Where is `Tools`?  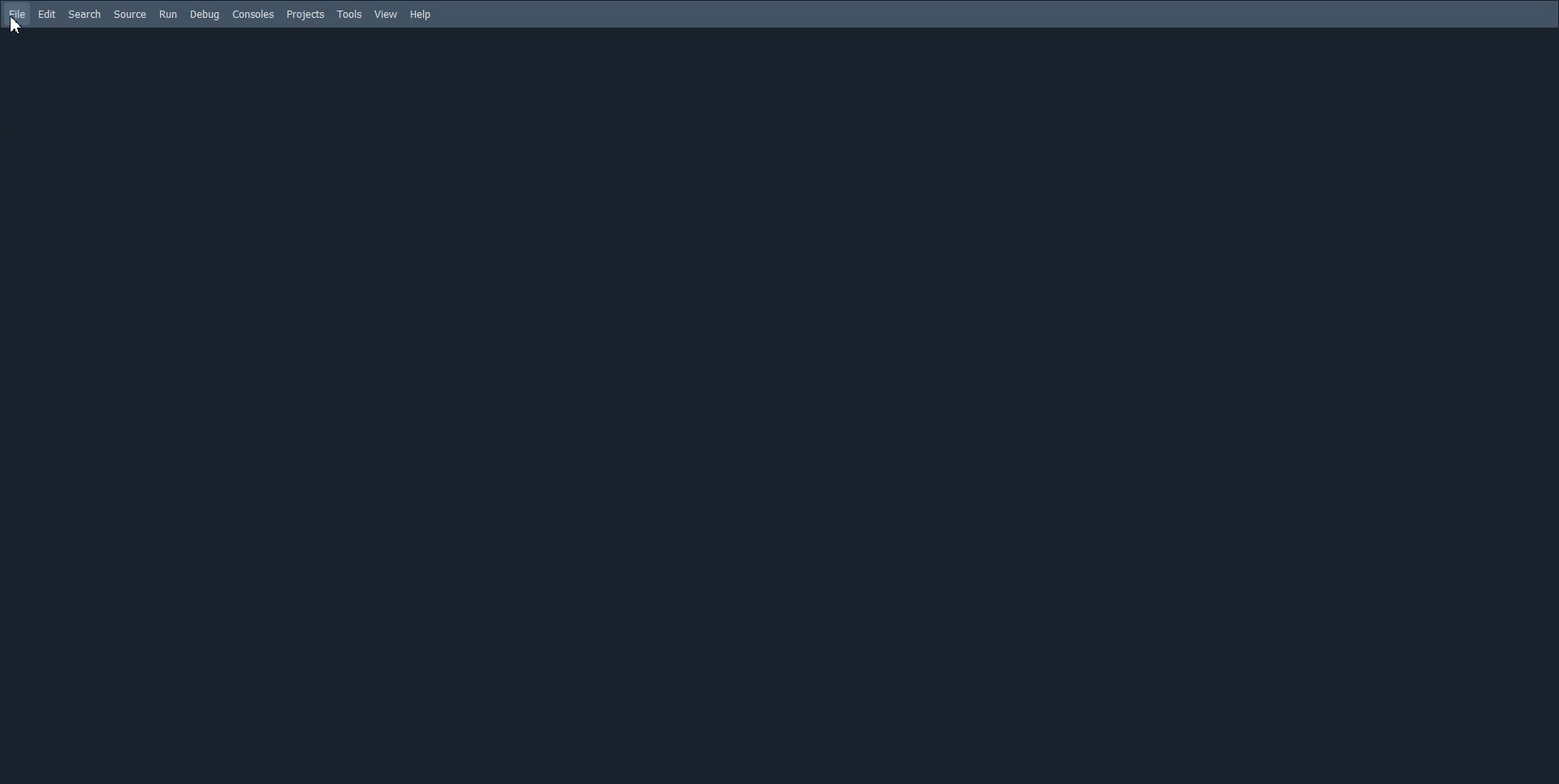 Tools is located at coordinates (349, 15).